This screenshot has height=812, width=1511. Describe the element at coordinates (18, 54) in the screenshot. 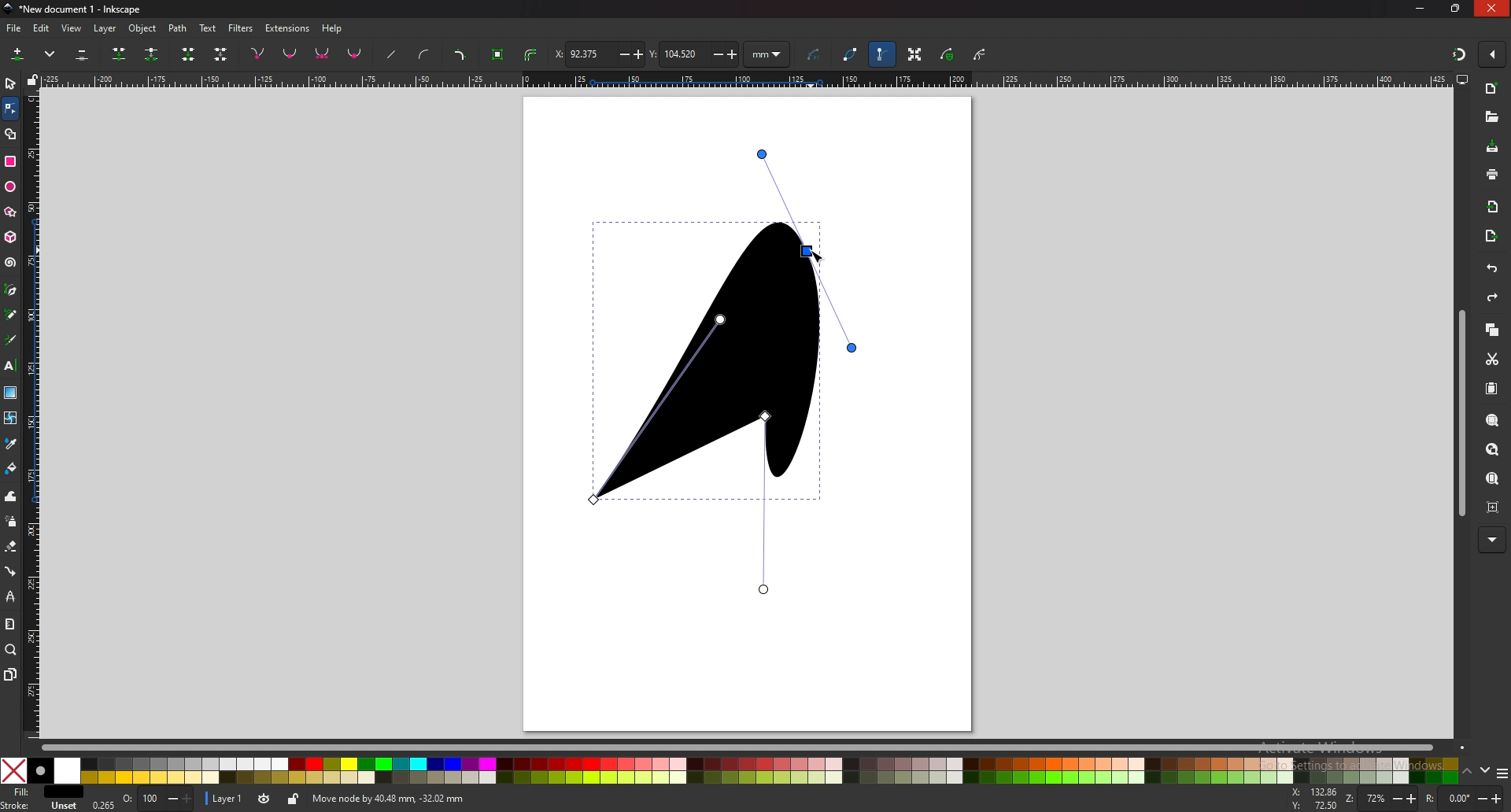

I see `insert new nodes` at that location.